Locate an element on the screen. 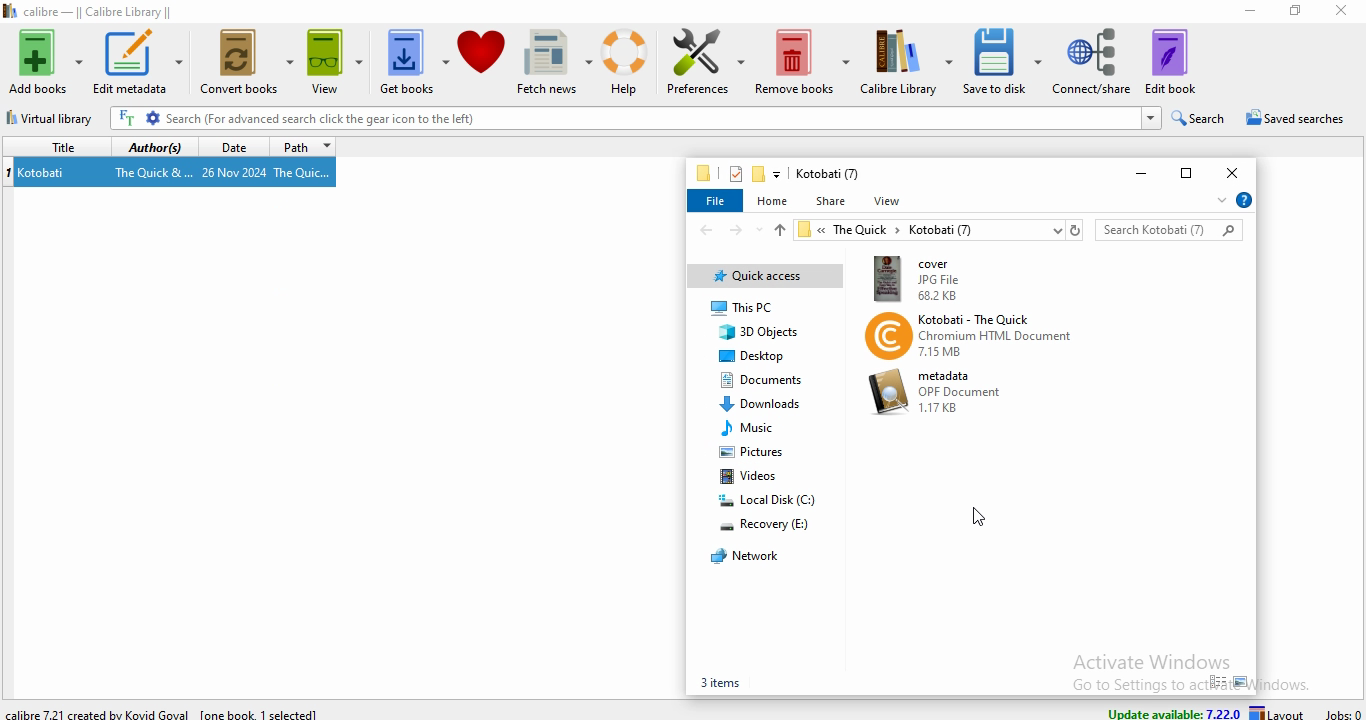 The width and height of the screenshot is (1366, 720). authors is located at coordinates (154, 147).